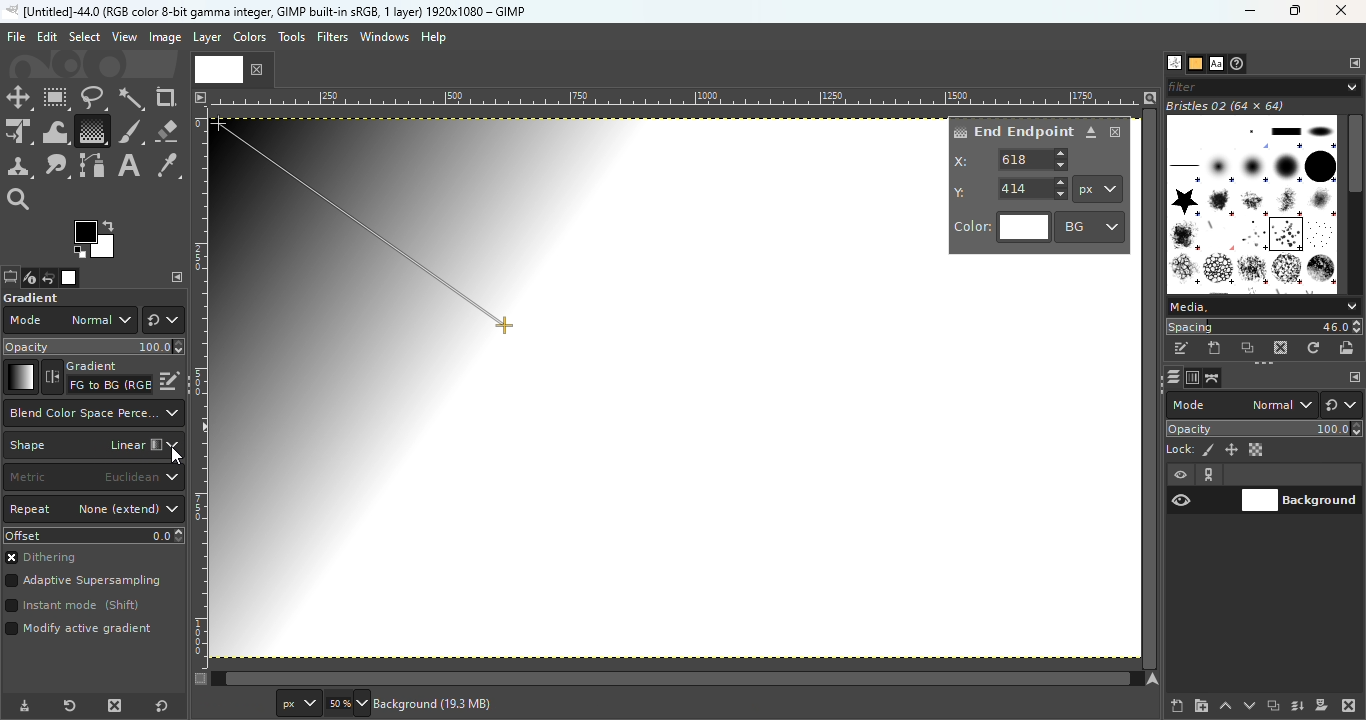 The image size is (1366, 720). I want to click on Create a new layer and add it to the image, so click(1178, 706).